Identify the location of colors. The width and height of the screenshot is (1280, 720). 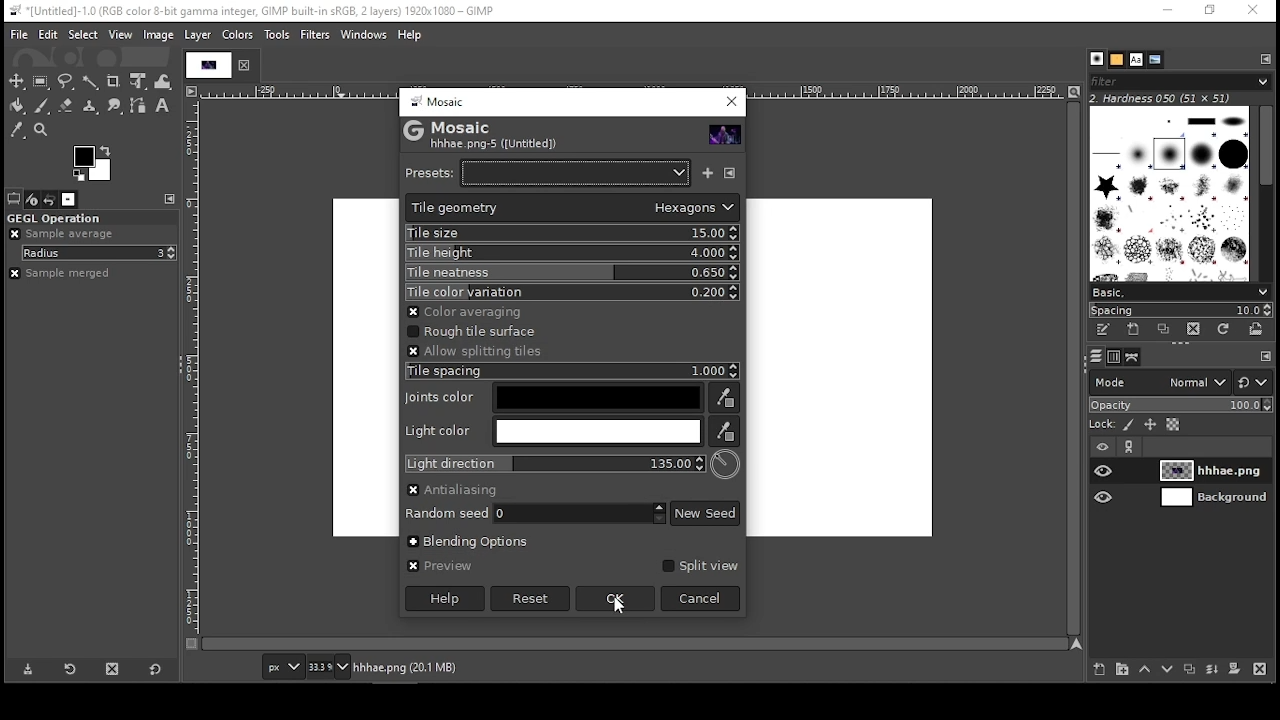
(237, 35).